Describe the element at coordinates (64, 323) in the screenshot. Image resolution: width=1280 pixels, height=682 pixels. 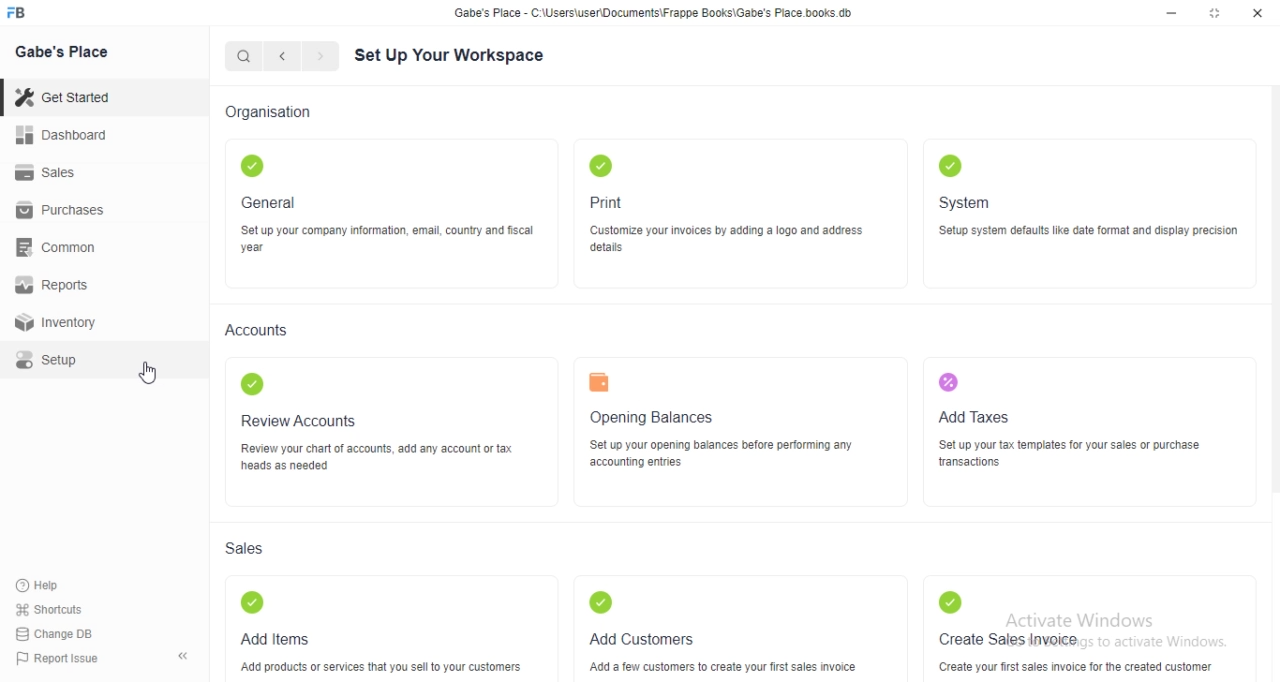
I see `Inventory` at that location.